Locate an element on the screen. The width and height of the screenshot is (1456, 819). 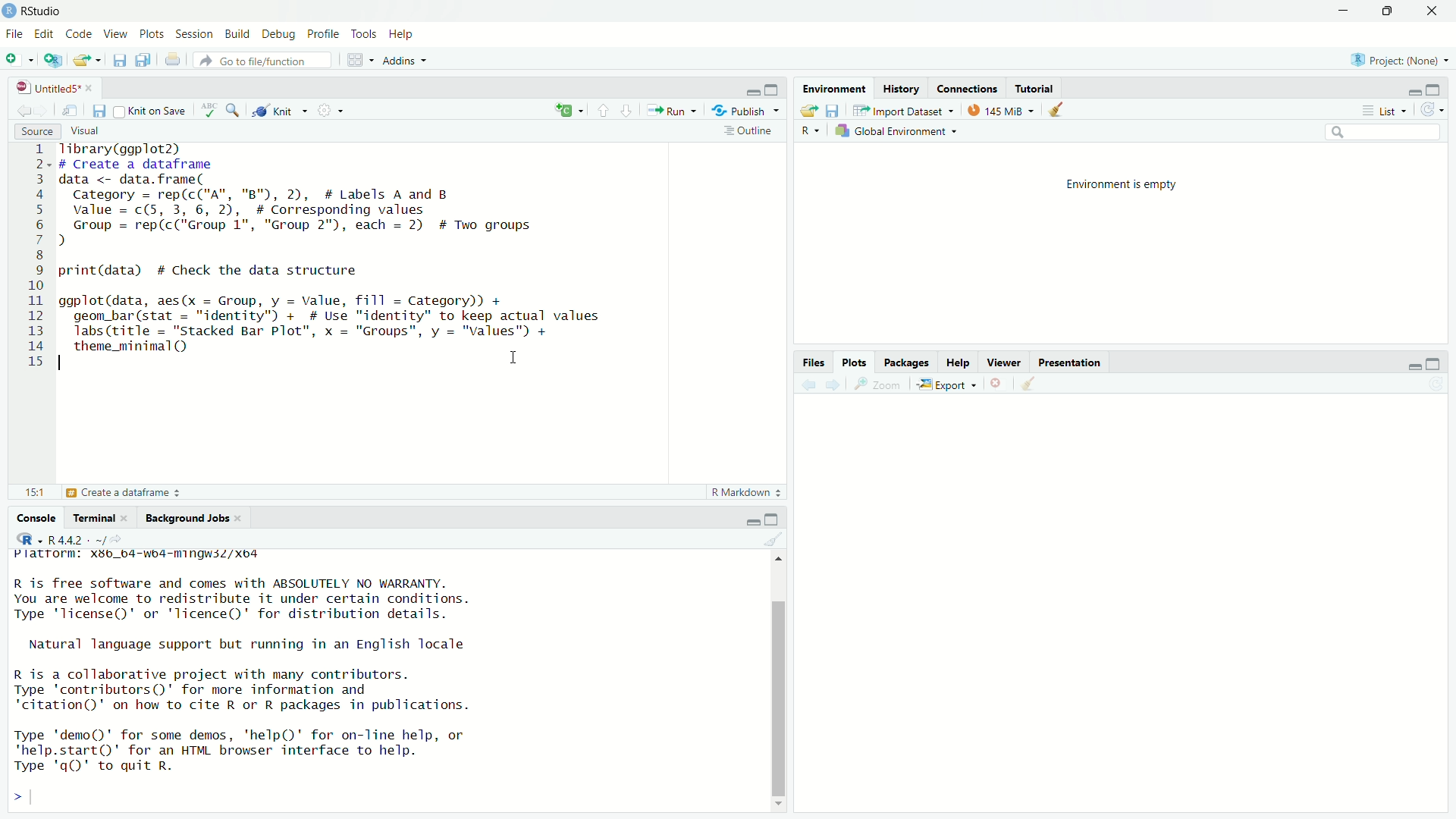
Session is located at coordinates (196, 34).